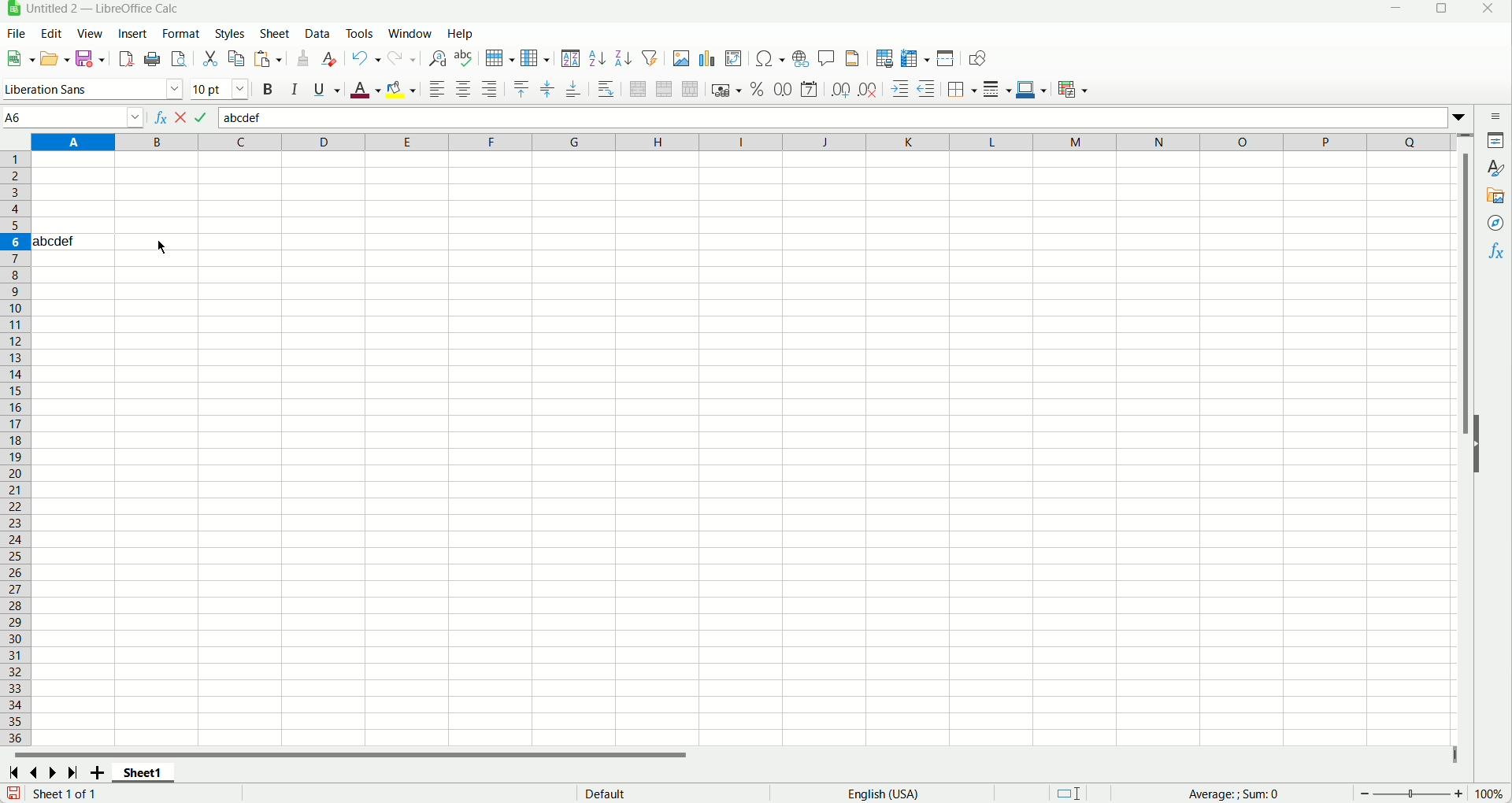 This screenshot has height=803, width=1512. Describe the element at coordinates (843, 119) in the screenshot. I see `input line` at that location.